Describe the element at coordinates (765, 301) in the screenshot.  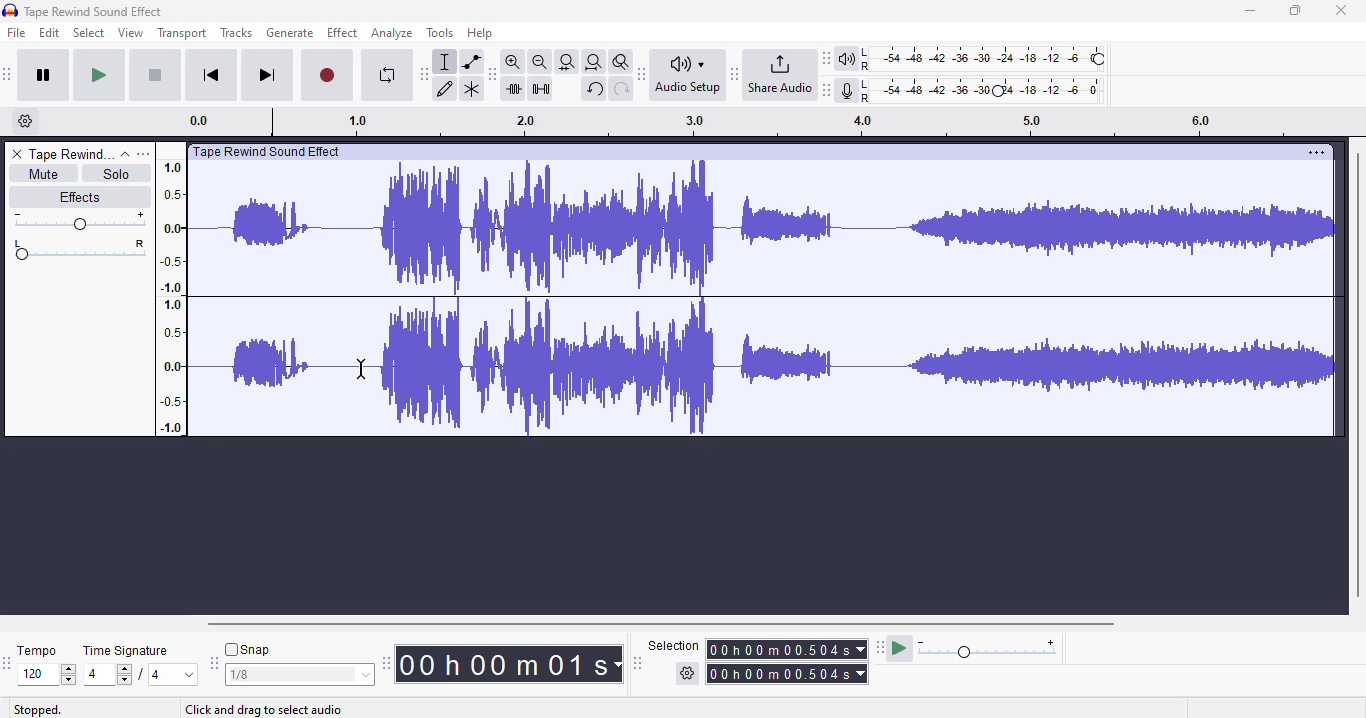
I see `audio track` at that location.